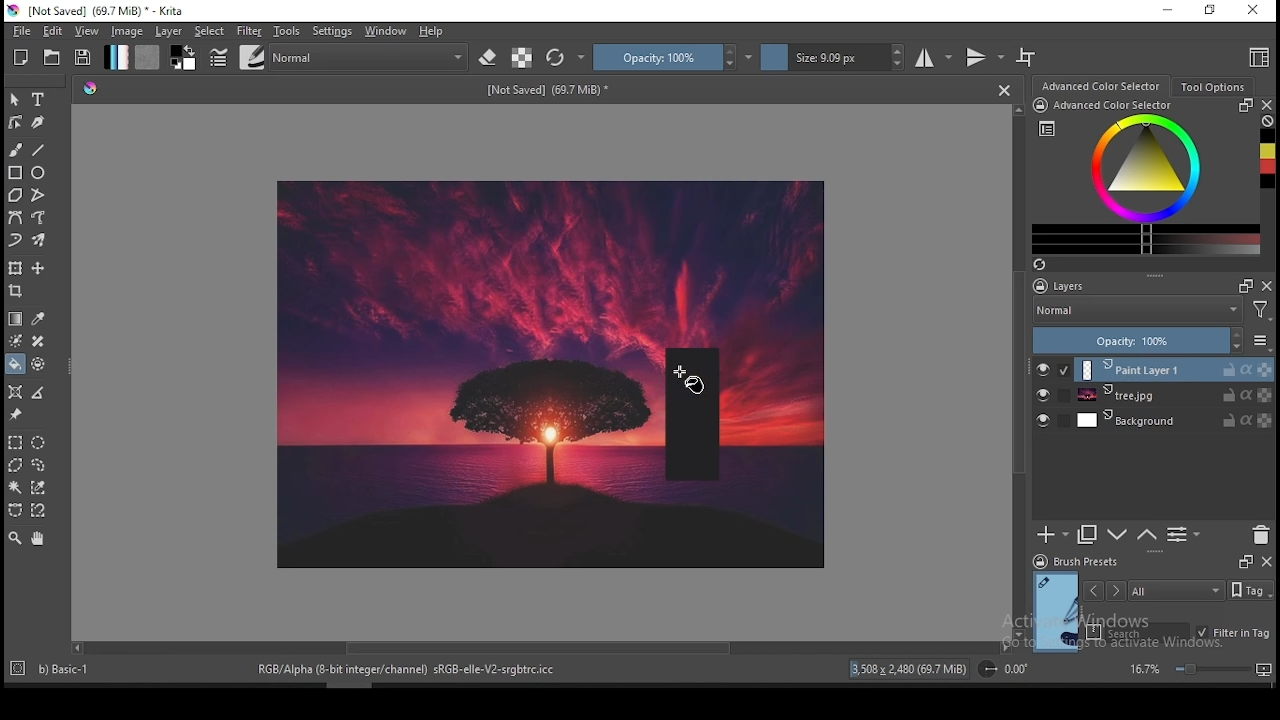  I want to click on ellipse tool, so click(39, 173).